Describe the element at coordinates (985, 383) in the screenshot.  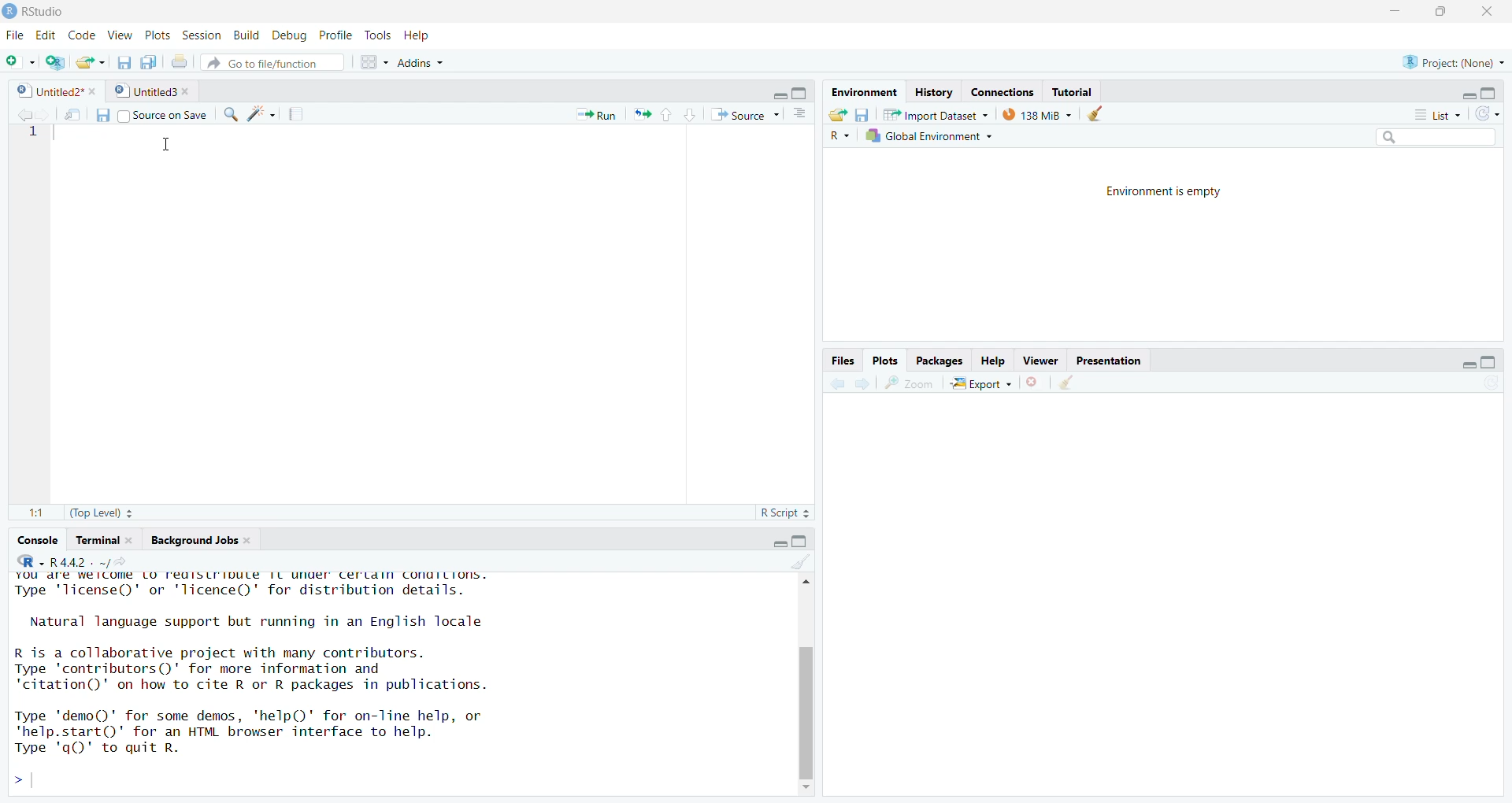
I see `~& Export +` at that location.